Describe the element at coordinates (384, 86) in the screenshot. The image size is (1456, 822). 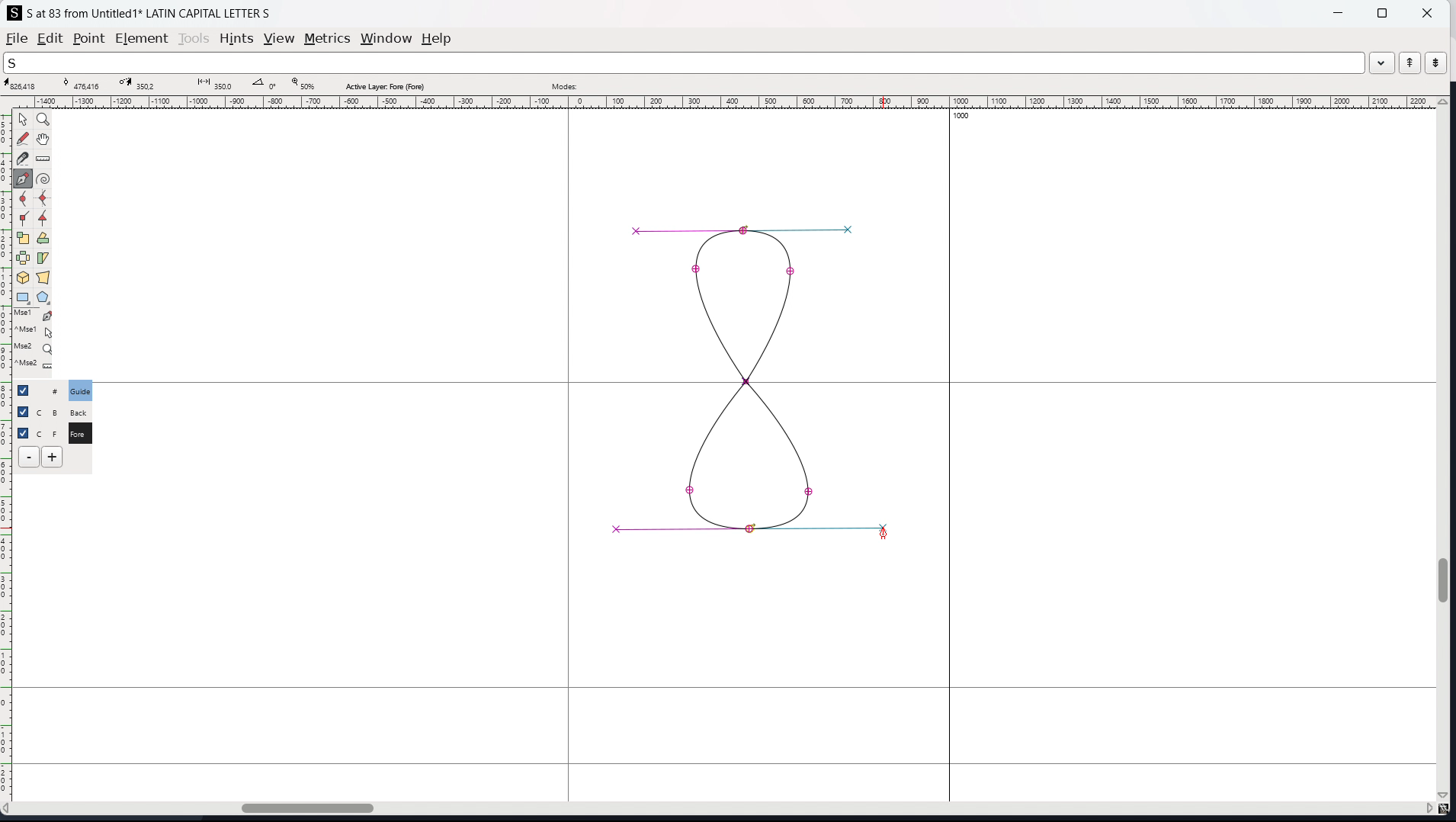
I see `active layer` at that location.